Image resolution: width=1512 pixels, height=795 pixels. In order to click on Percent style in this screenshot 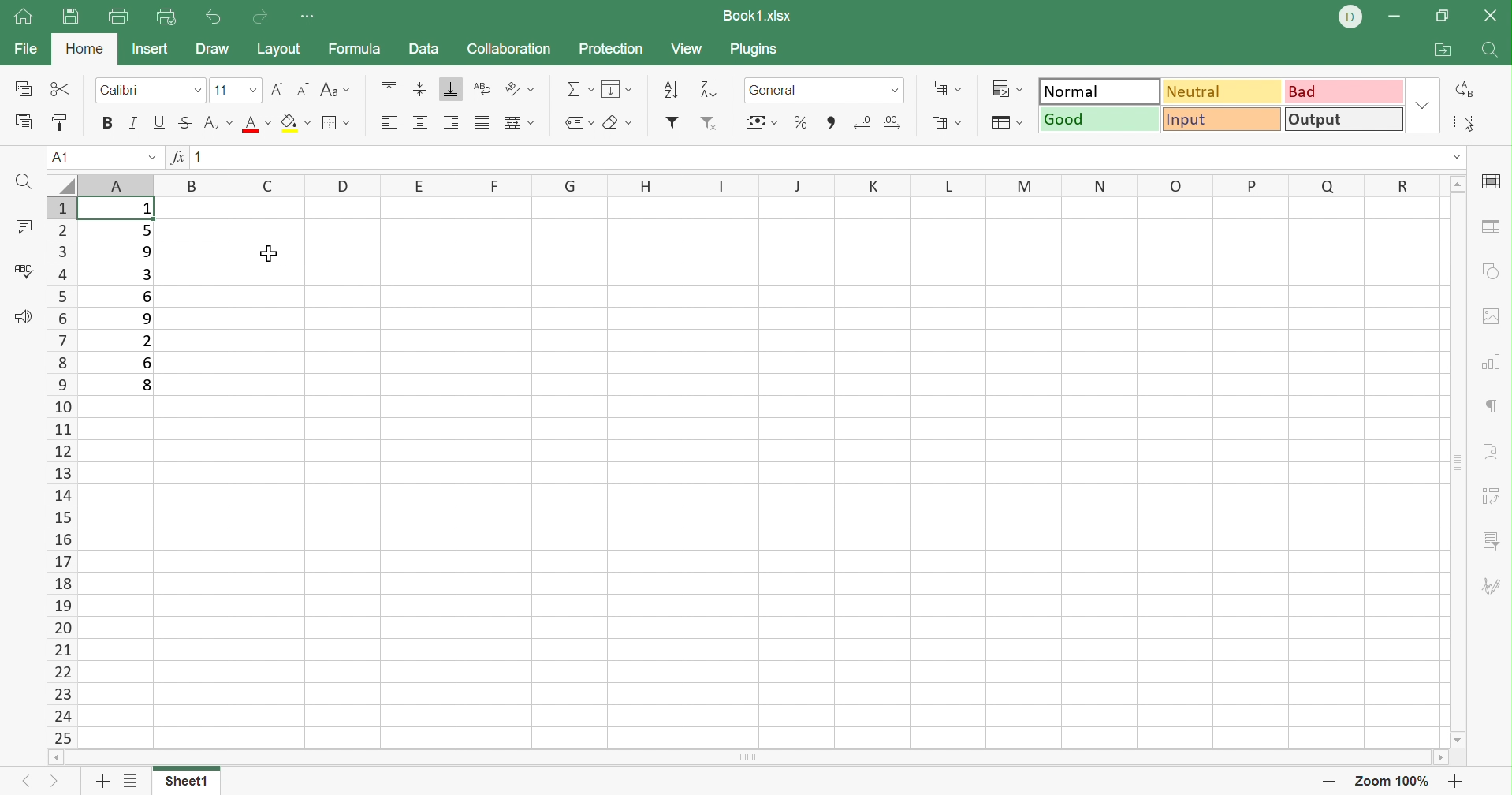, I will do `click(799, 121)`.